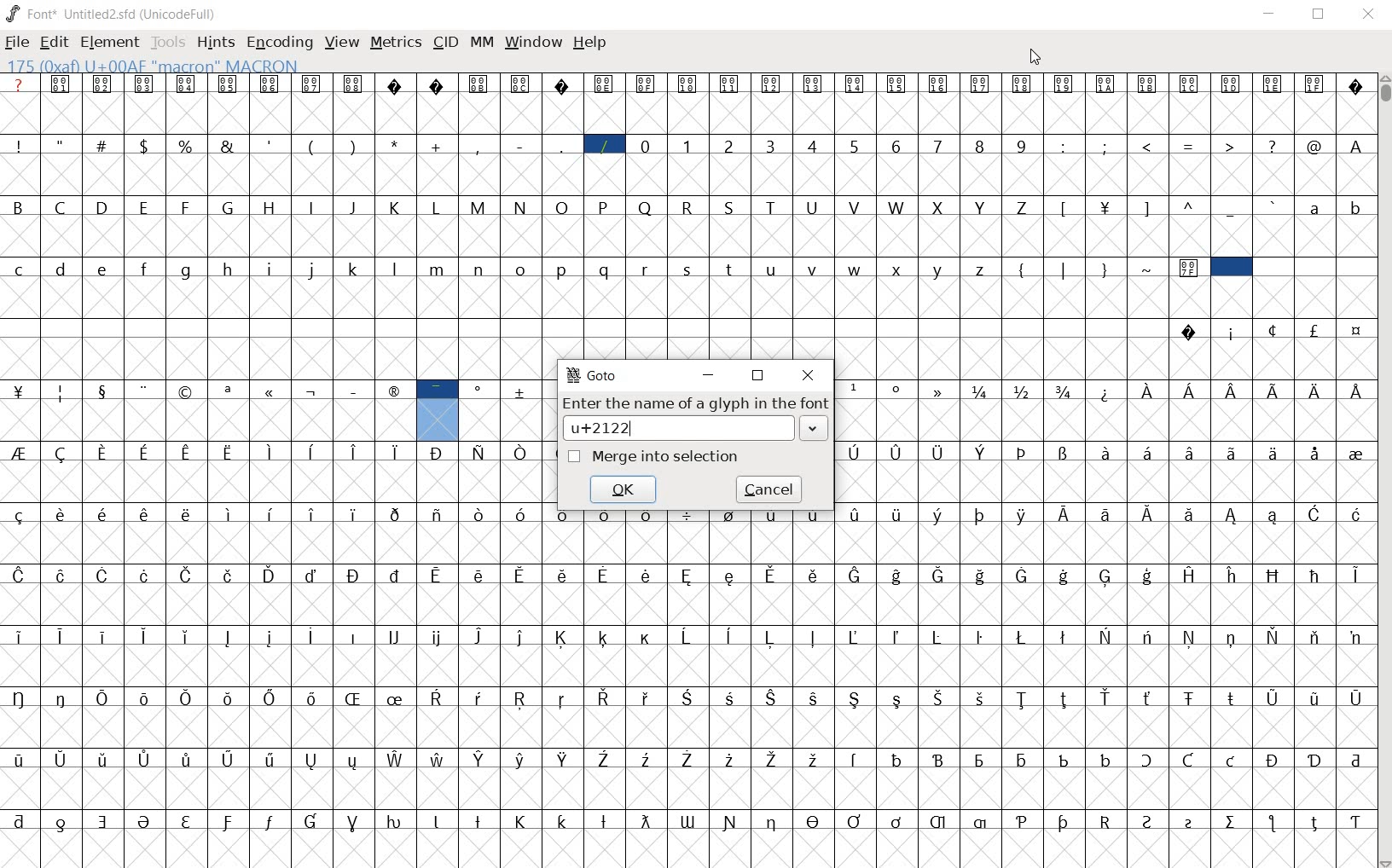 The image size is (1392, 868). Describe the element at coordinates (1208, 165) in the screenshot. I see `special characters` at that location.